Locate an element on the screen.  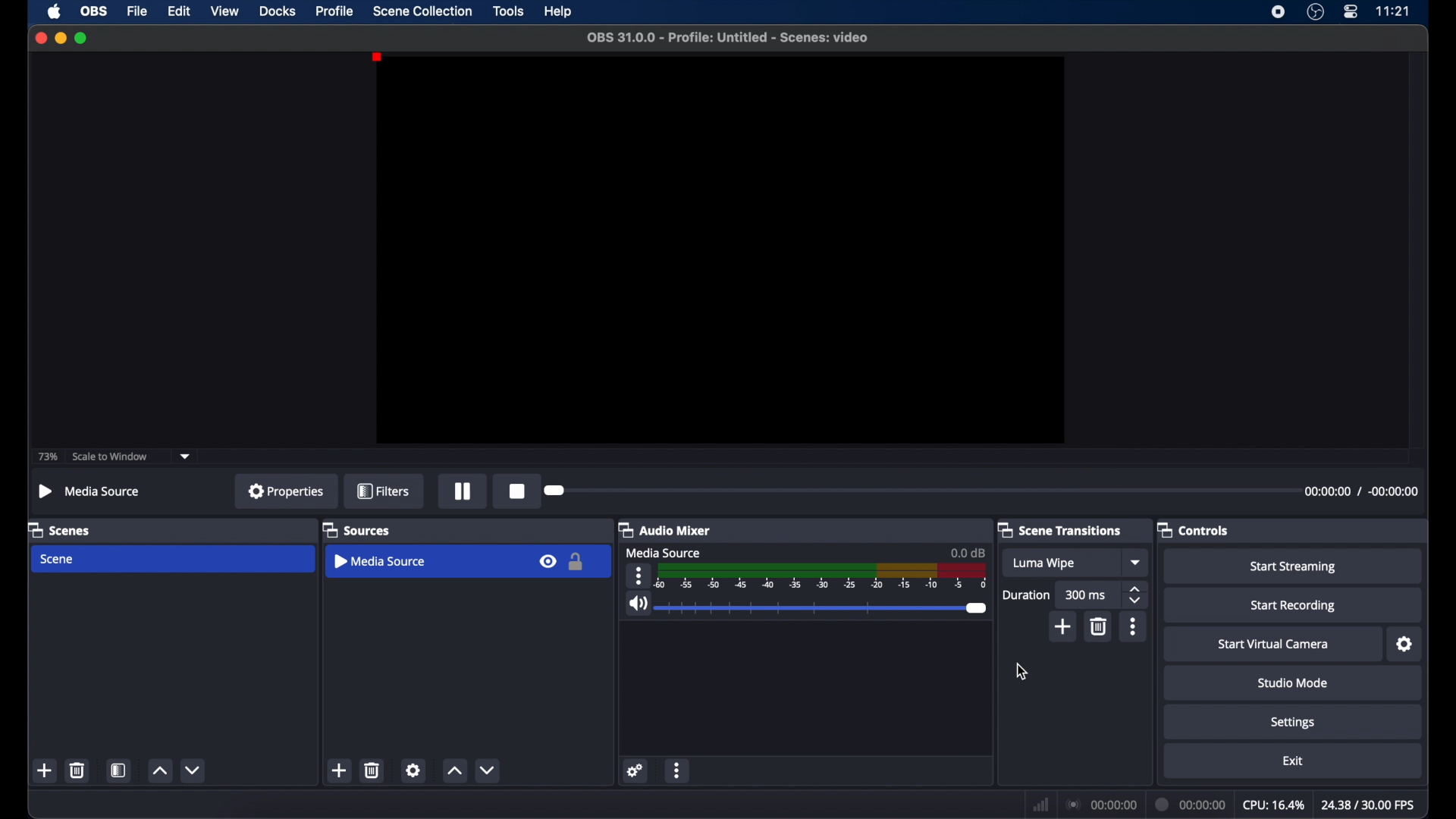
0.0 is located at coordinates (968, 552).